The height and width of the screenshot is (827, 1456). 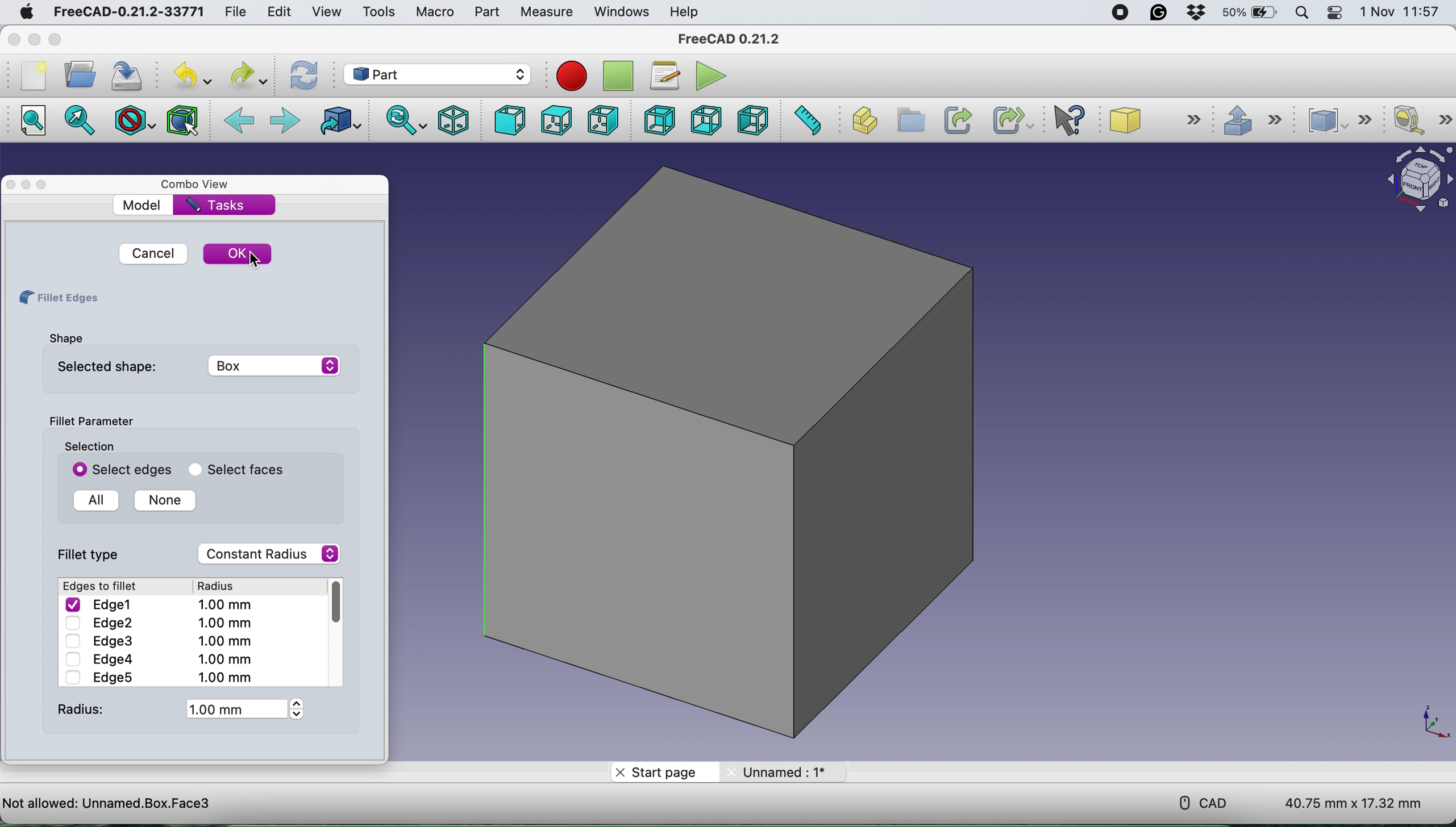 I want to click on compound tools, so click(x=1342, y=120).